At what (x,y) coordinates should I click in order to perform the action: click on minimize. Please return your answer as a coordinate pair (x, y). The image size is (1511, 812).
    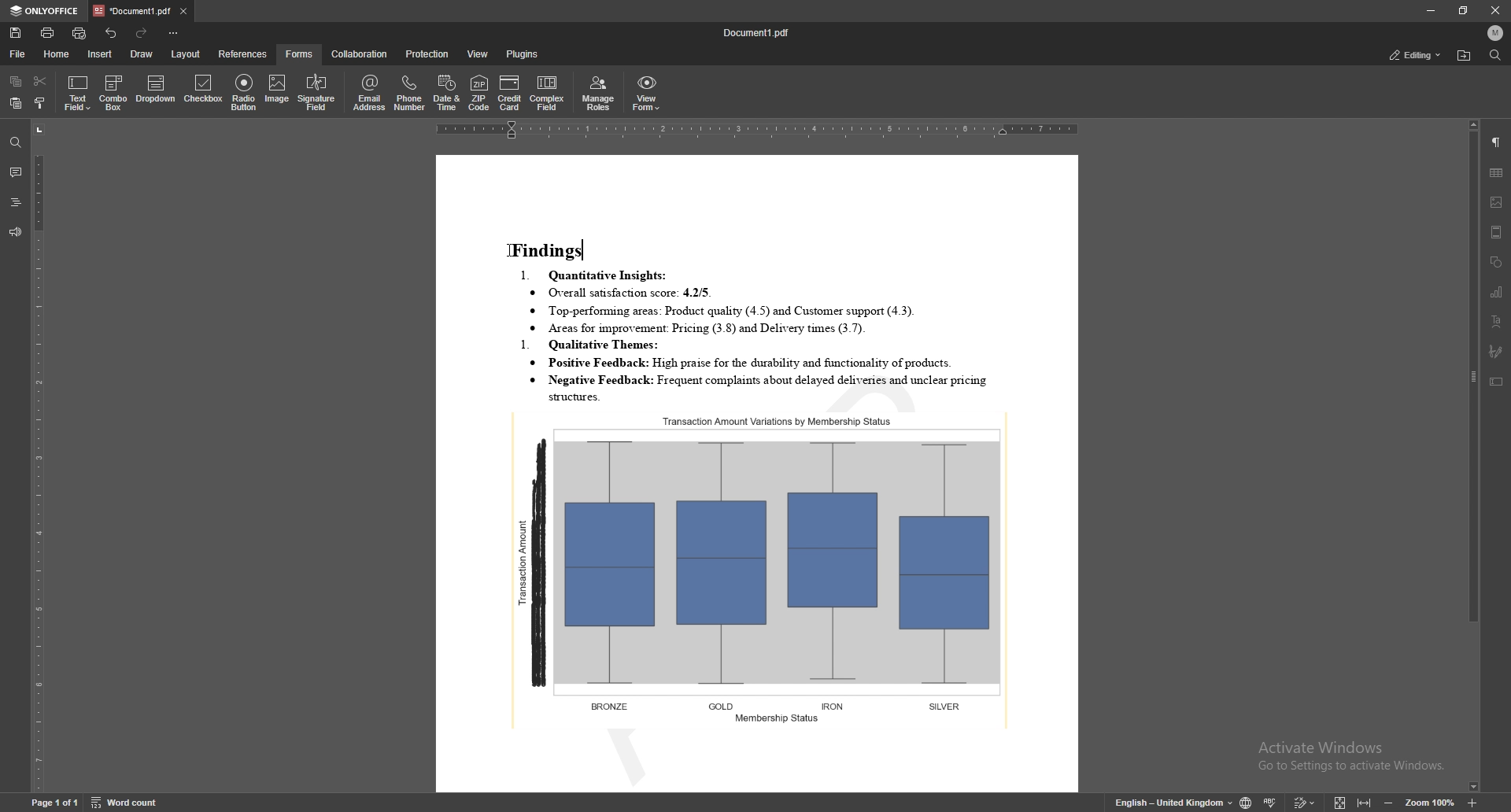
    Looking at the image, I should click on (1429, 10).